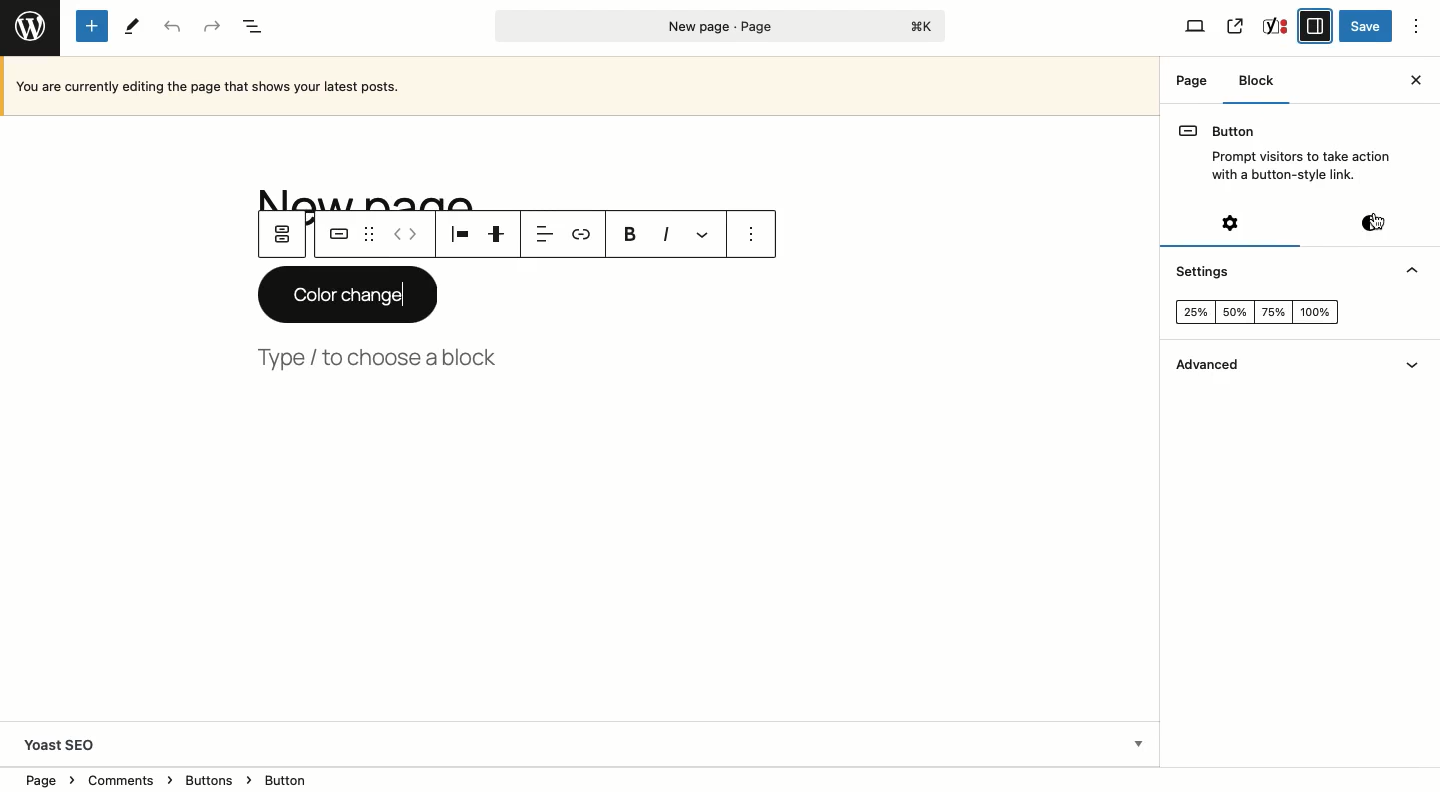  What do you see at coordinates (346, 295) in the screenshot?
I see `Color change button` at bounding box center [346, 295].